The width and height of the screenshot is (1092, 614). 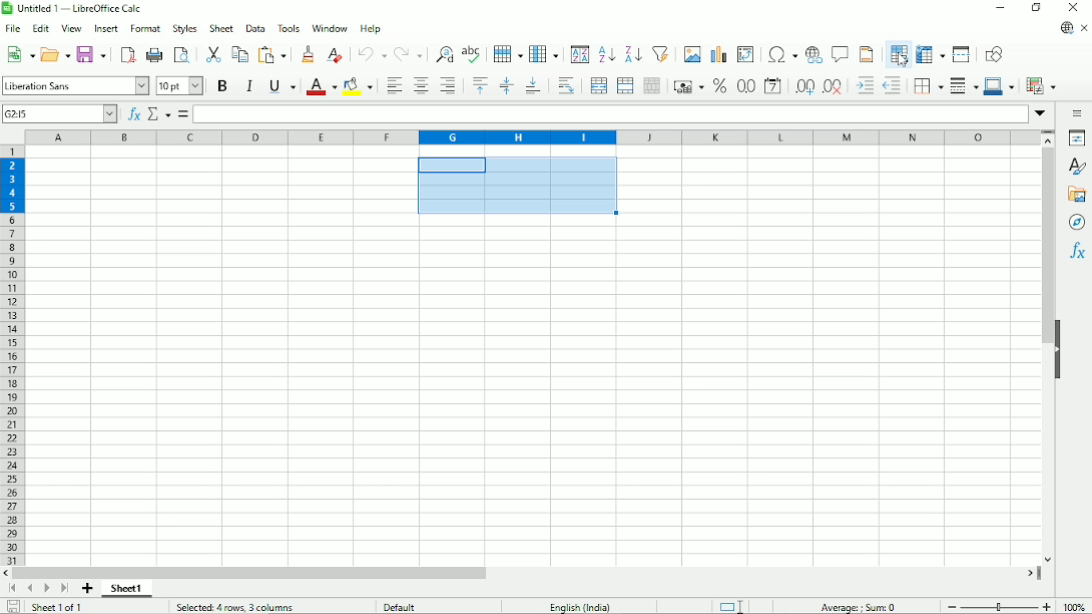 What do you see at coordinates (133, 114) in the screenshot?
I see `Function wizard` at bounding box center [133, 114].